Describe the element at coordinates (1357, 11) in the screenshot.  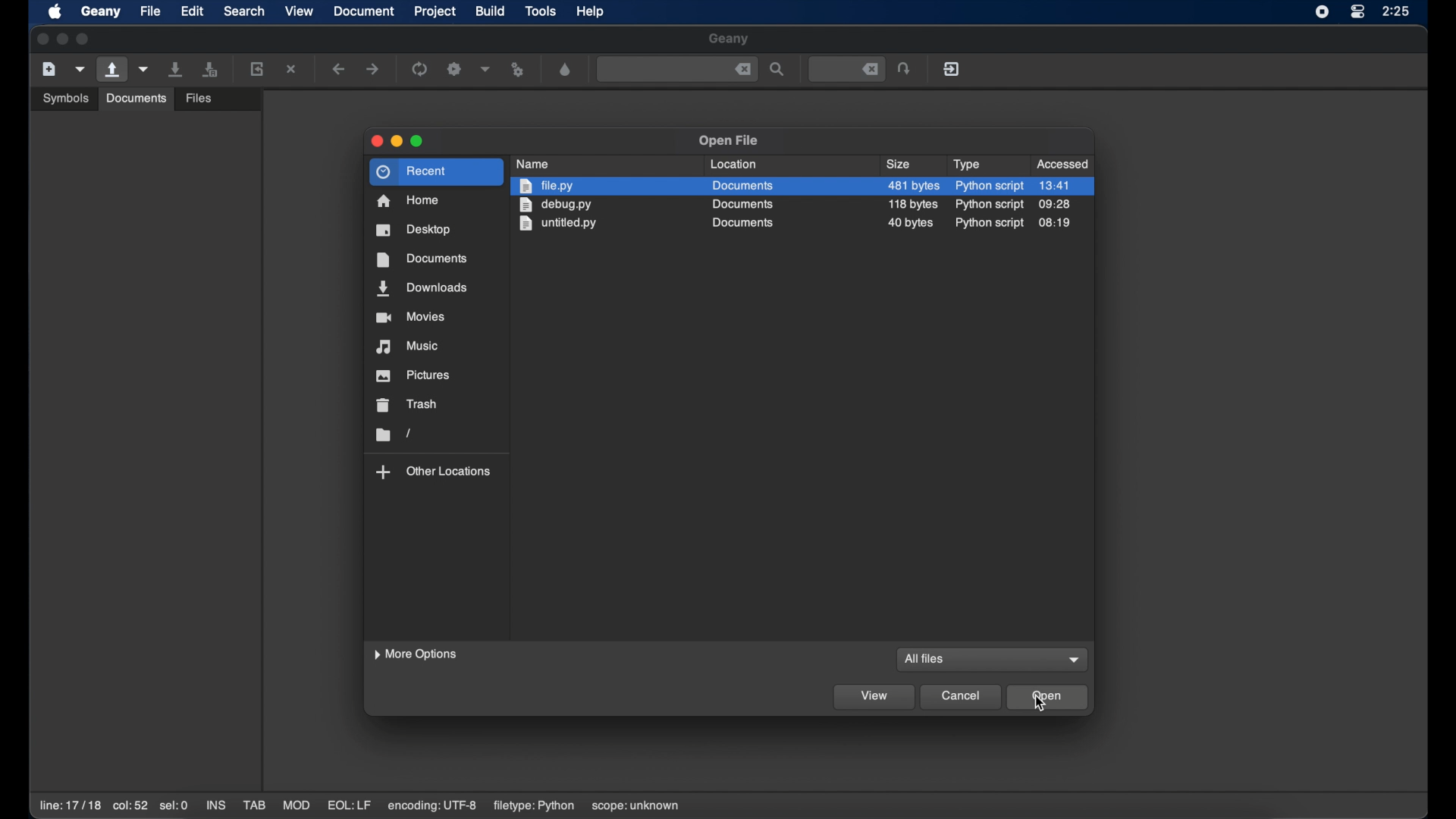
I see `control center` at that location.